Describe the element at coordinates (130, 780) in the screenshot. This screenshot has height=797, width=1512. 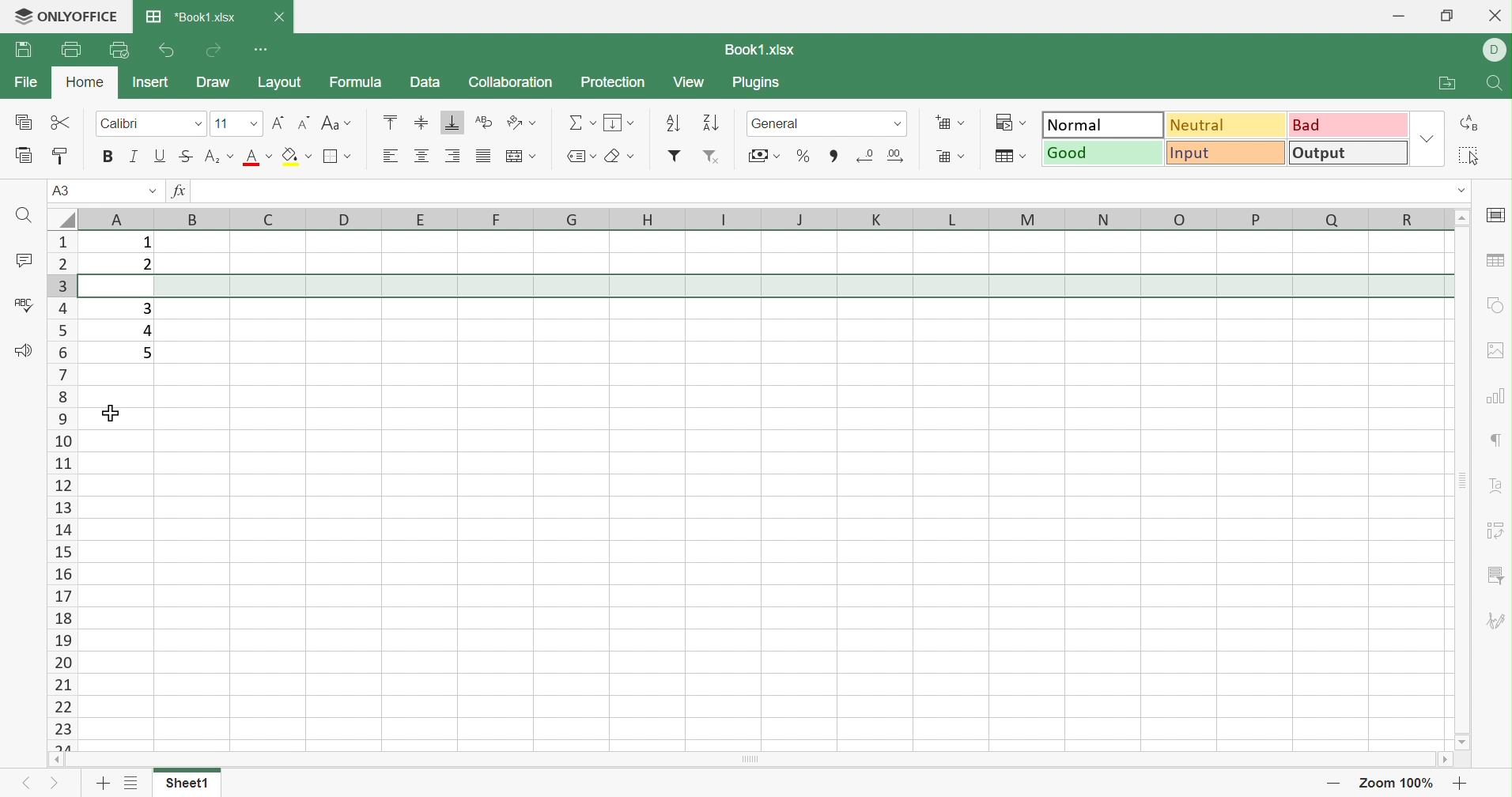
I see `List of sheets` at that location.